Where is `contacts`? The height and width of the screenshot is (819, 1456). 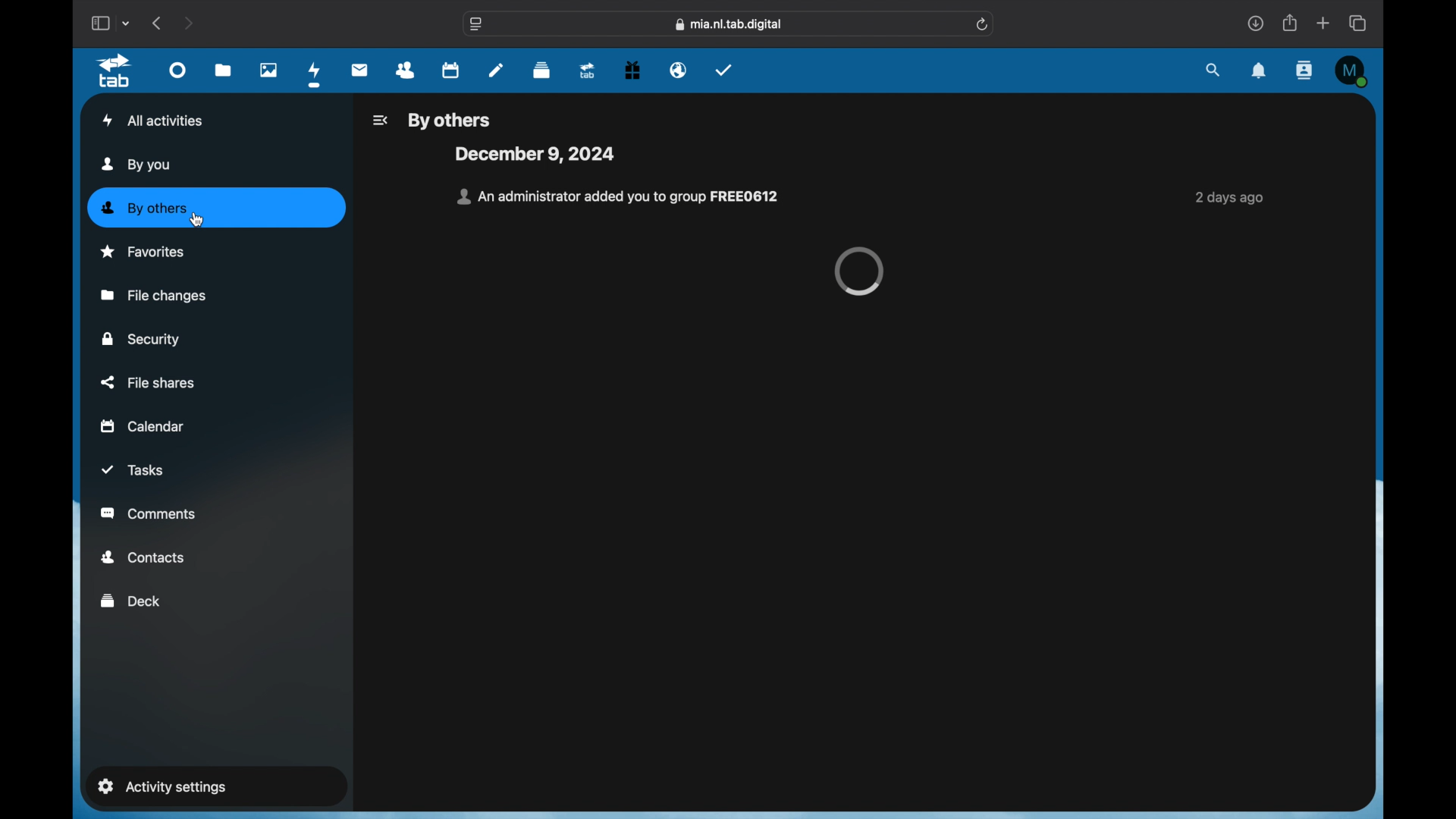
contacts is located at coordinates (140, 557).